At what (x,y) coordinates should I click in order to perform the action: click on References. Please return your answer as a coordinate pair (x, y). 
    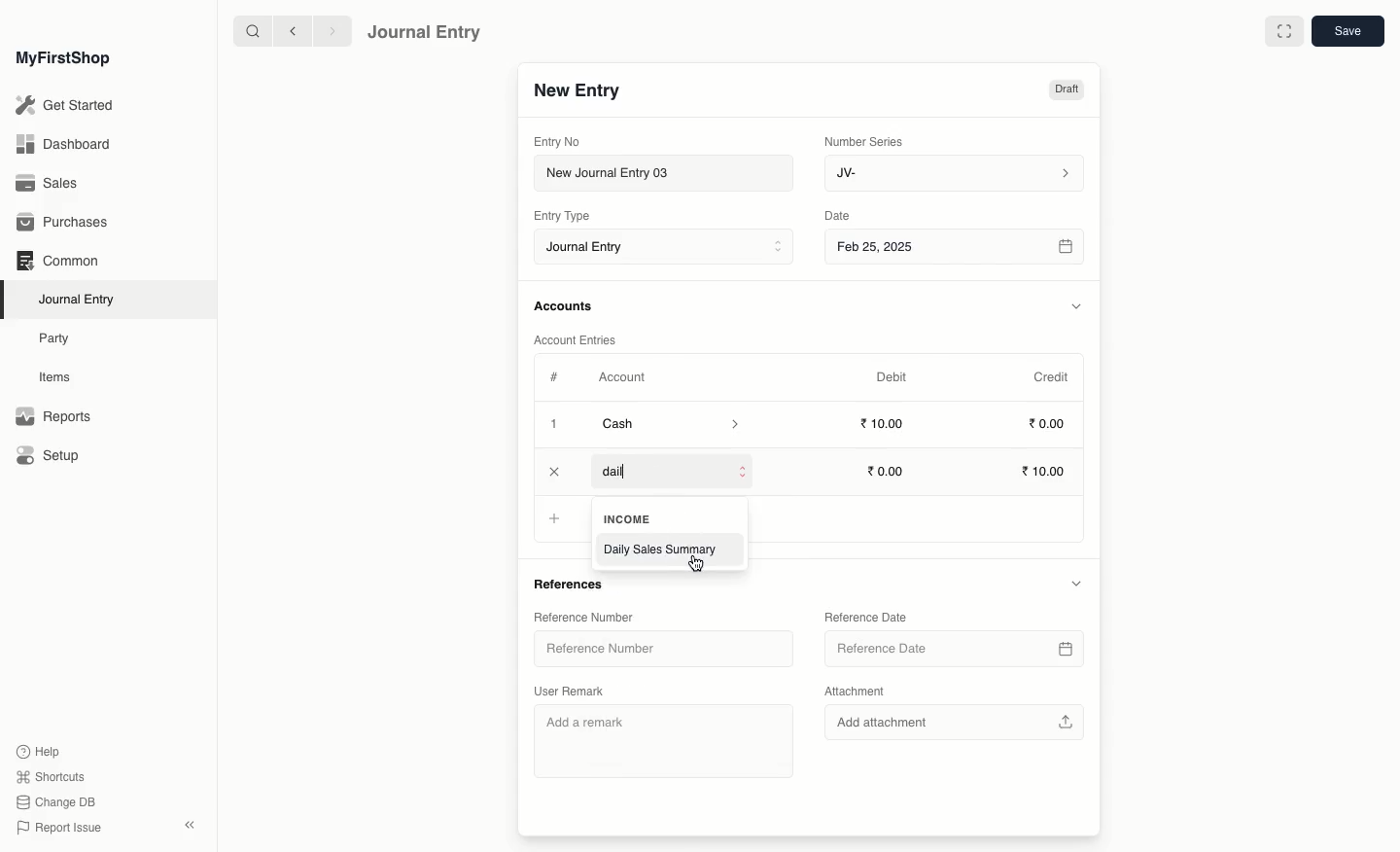
    Looking at the image, I should click on (574, 586).